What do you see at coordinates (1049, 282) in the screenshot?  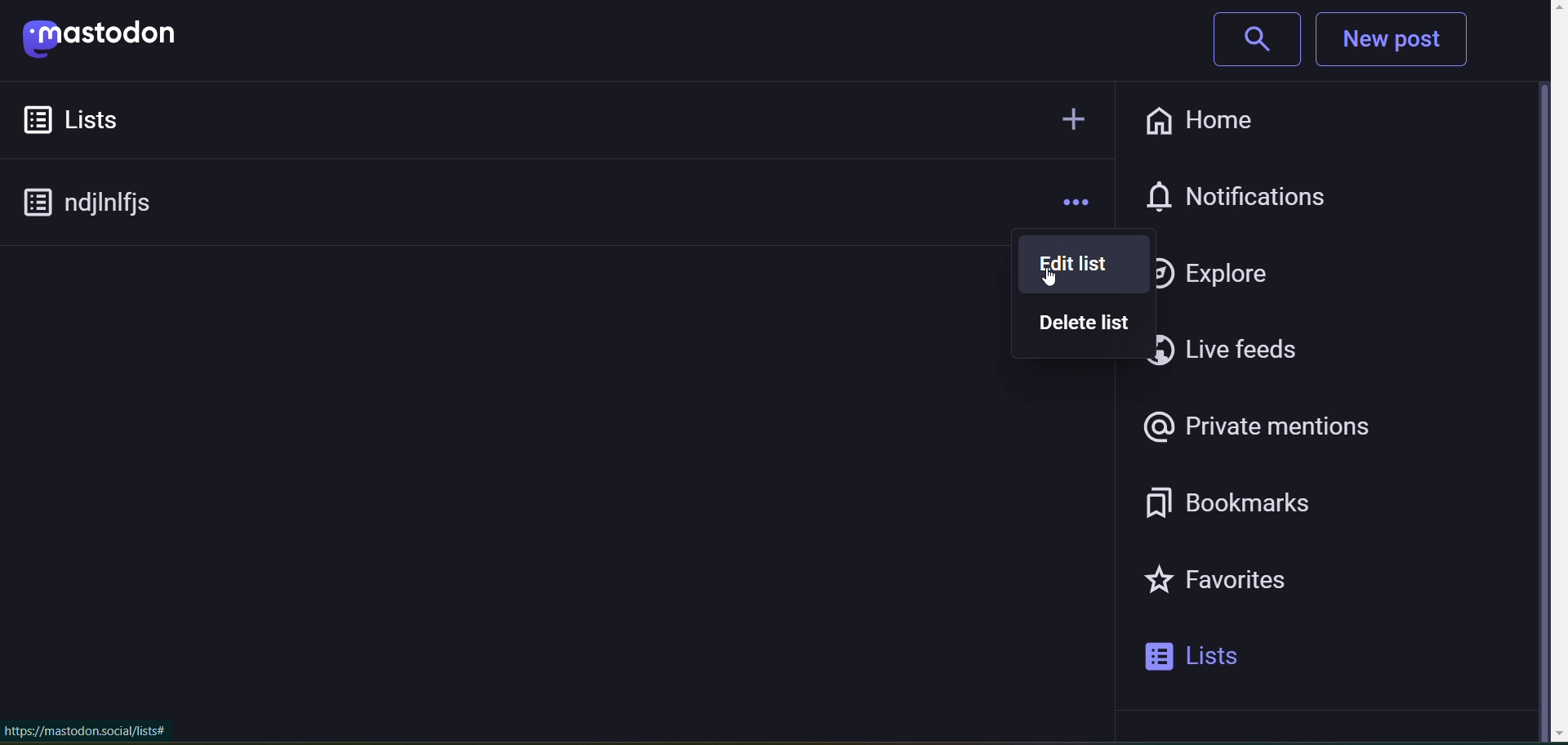 I see `cursor` at bounding box center [1049, 282].